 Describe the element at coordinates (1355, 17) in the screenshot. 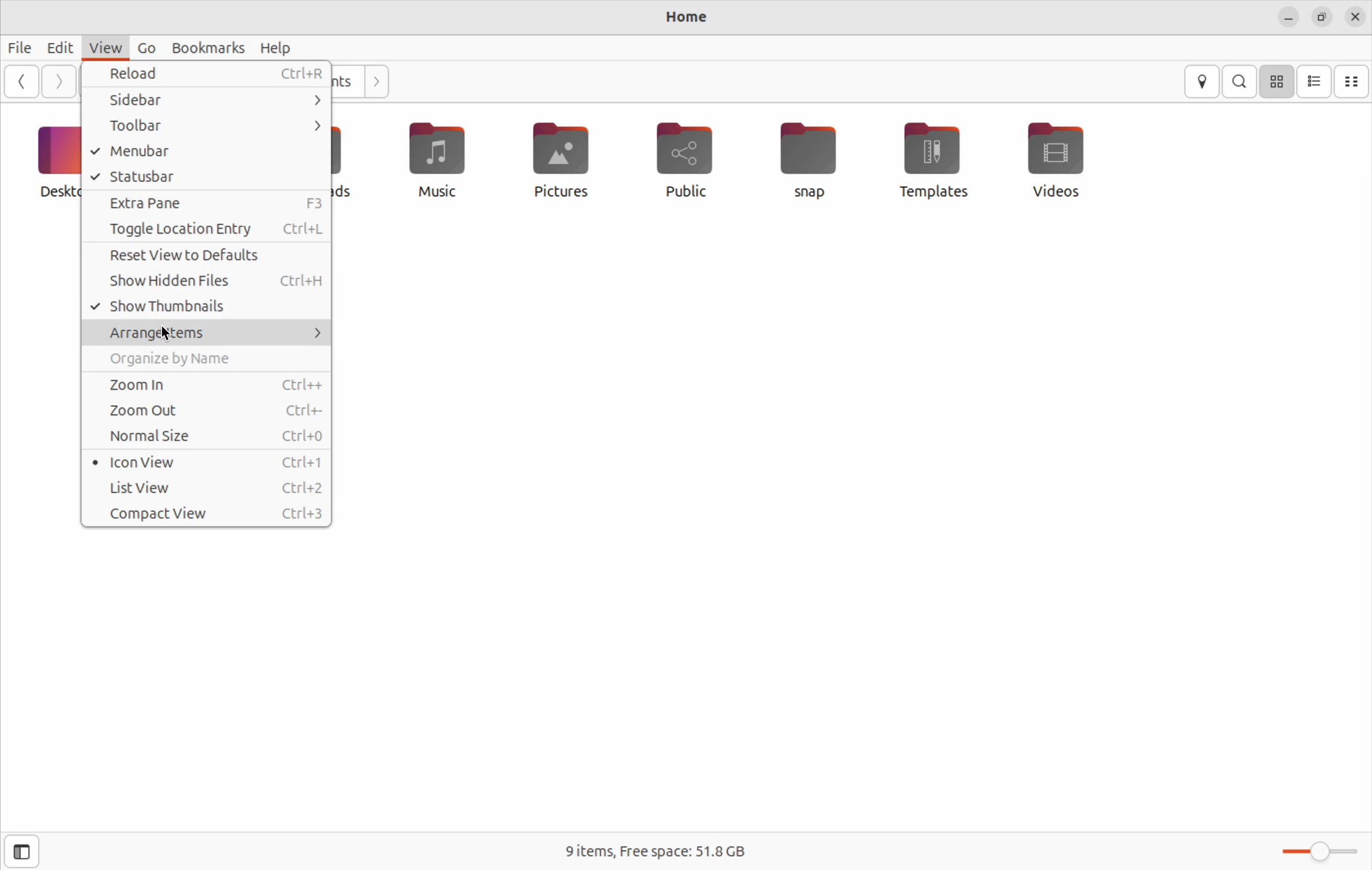

I see `close` at that location.